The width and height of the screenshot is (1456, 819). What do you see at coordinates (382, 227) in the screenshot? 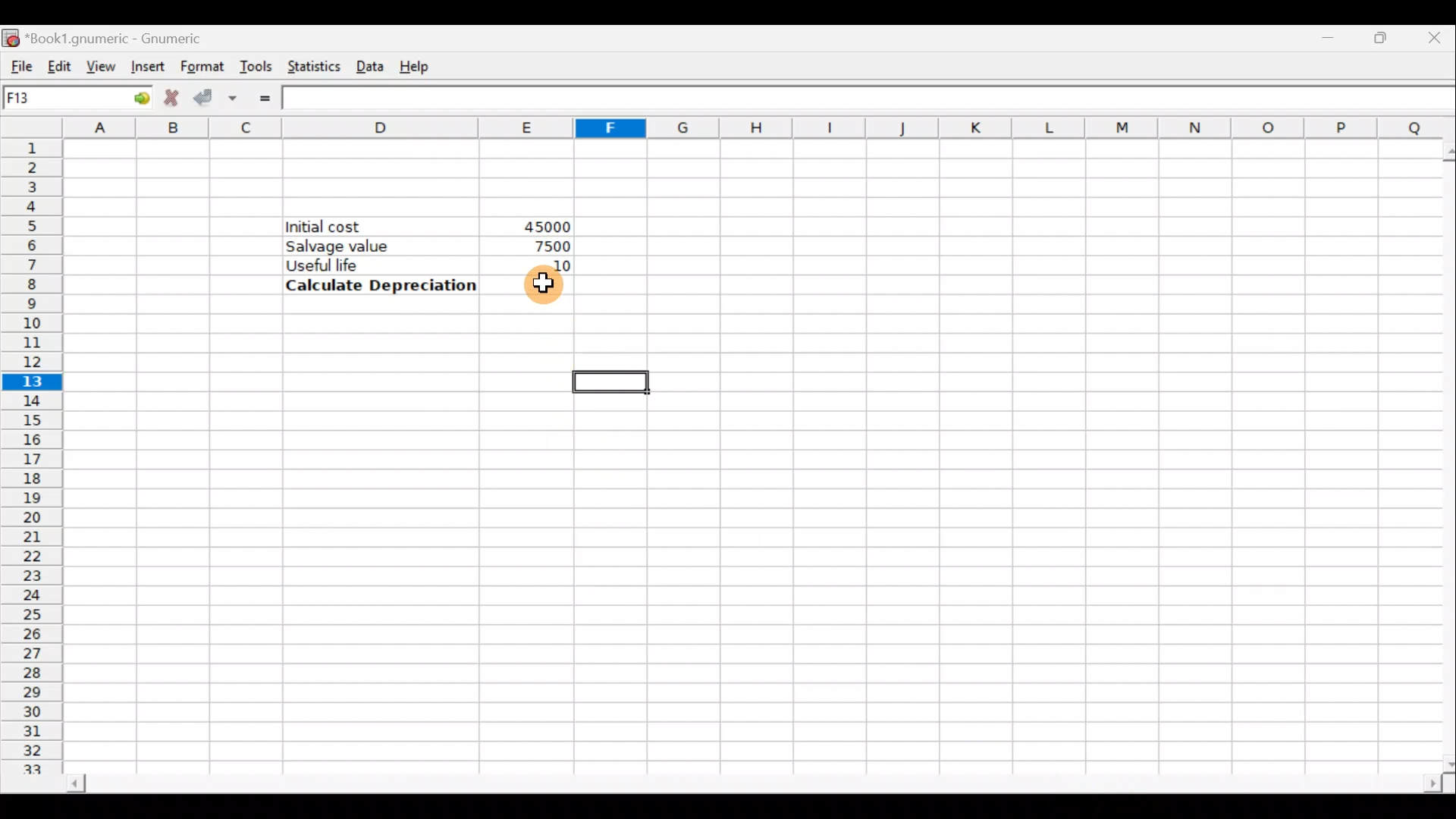
I see `Initial cost` at bounding box center [382, 227].